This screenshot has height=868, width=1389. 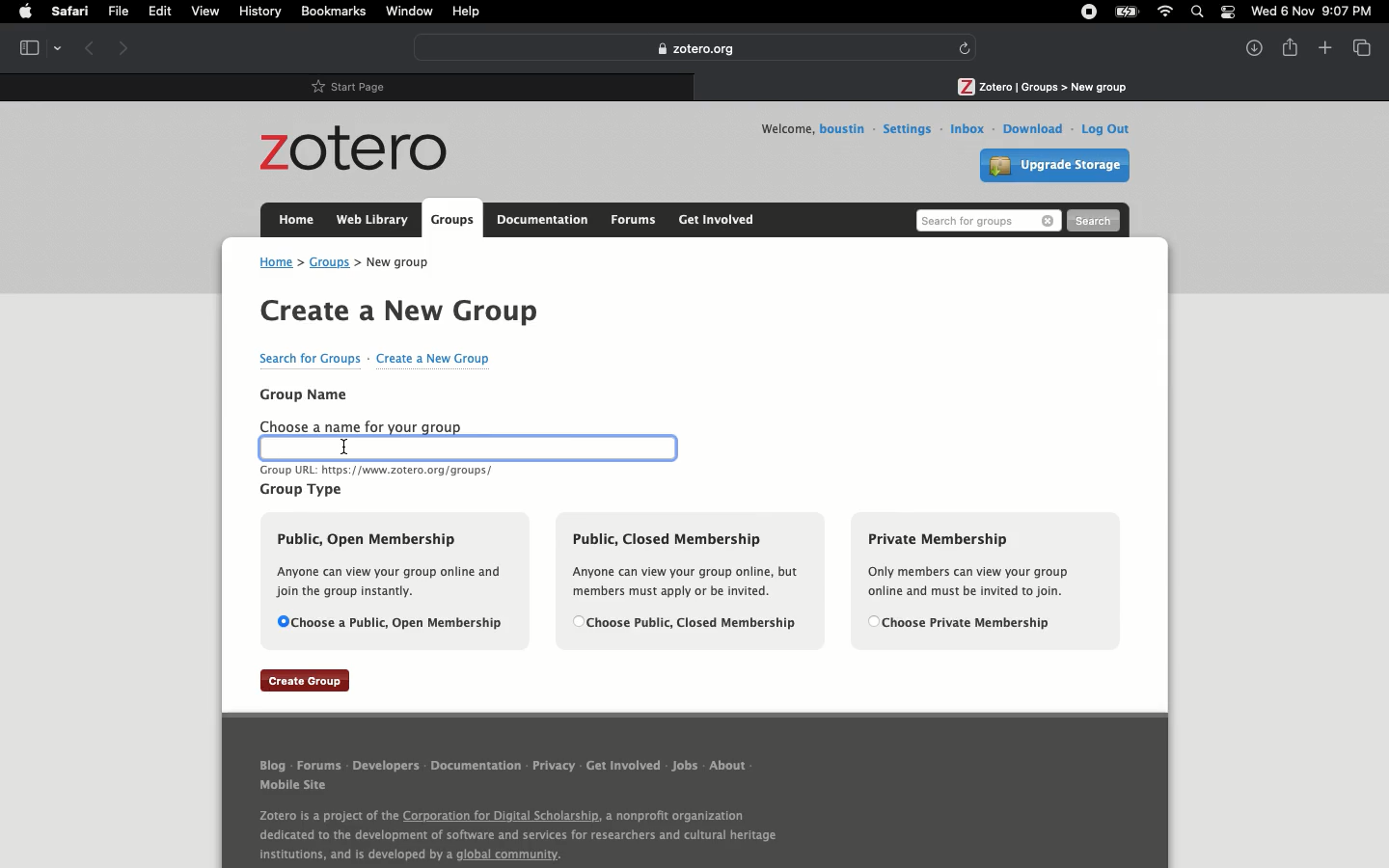 What do you see at coordinates (398, 582) in the screenshot?
I see `Public open membership` at bounding box center [398, 582].